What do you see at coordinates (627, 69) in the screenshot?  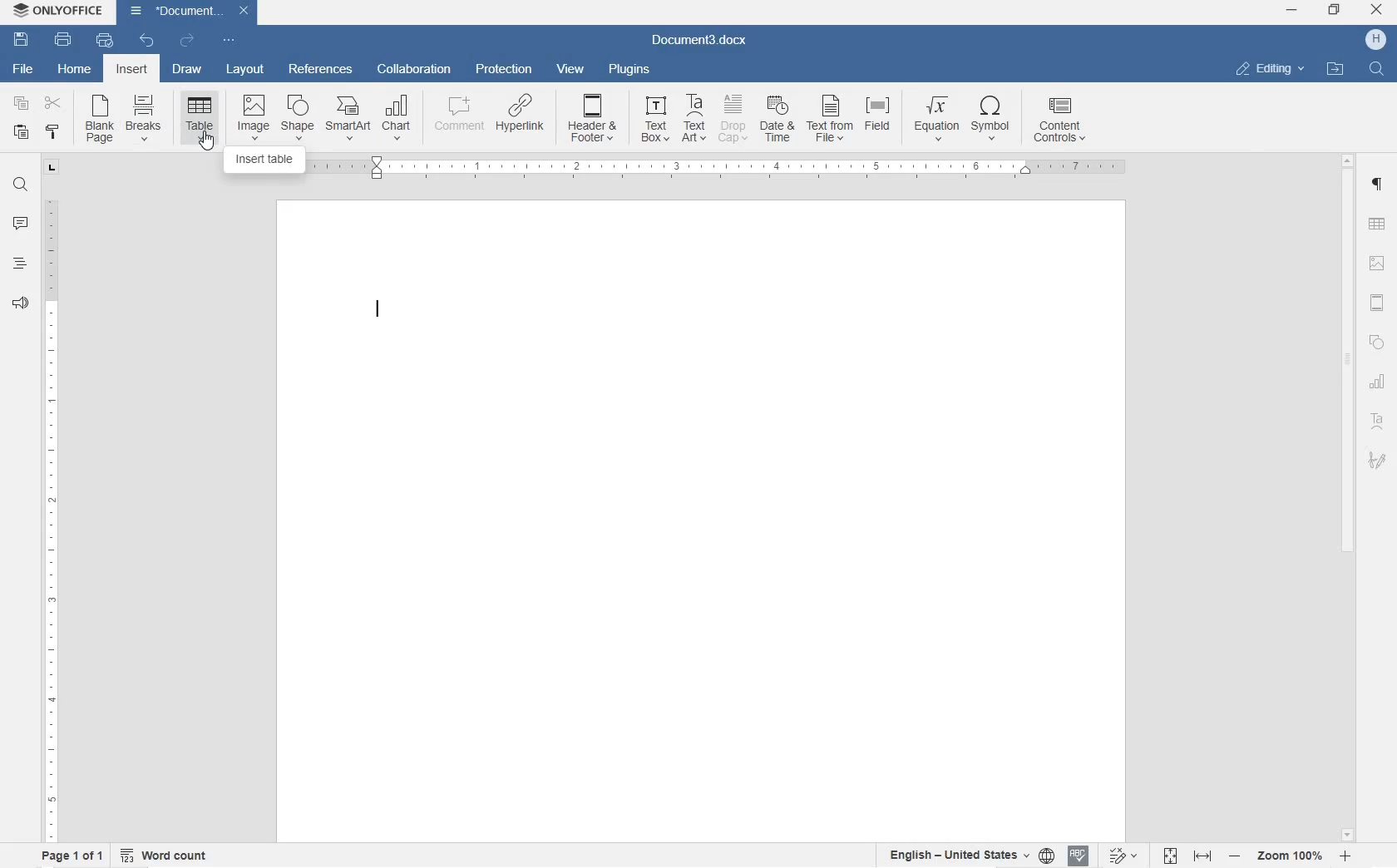 I see `PLUGINS` at bounding box center [627, 69].